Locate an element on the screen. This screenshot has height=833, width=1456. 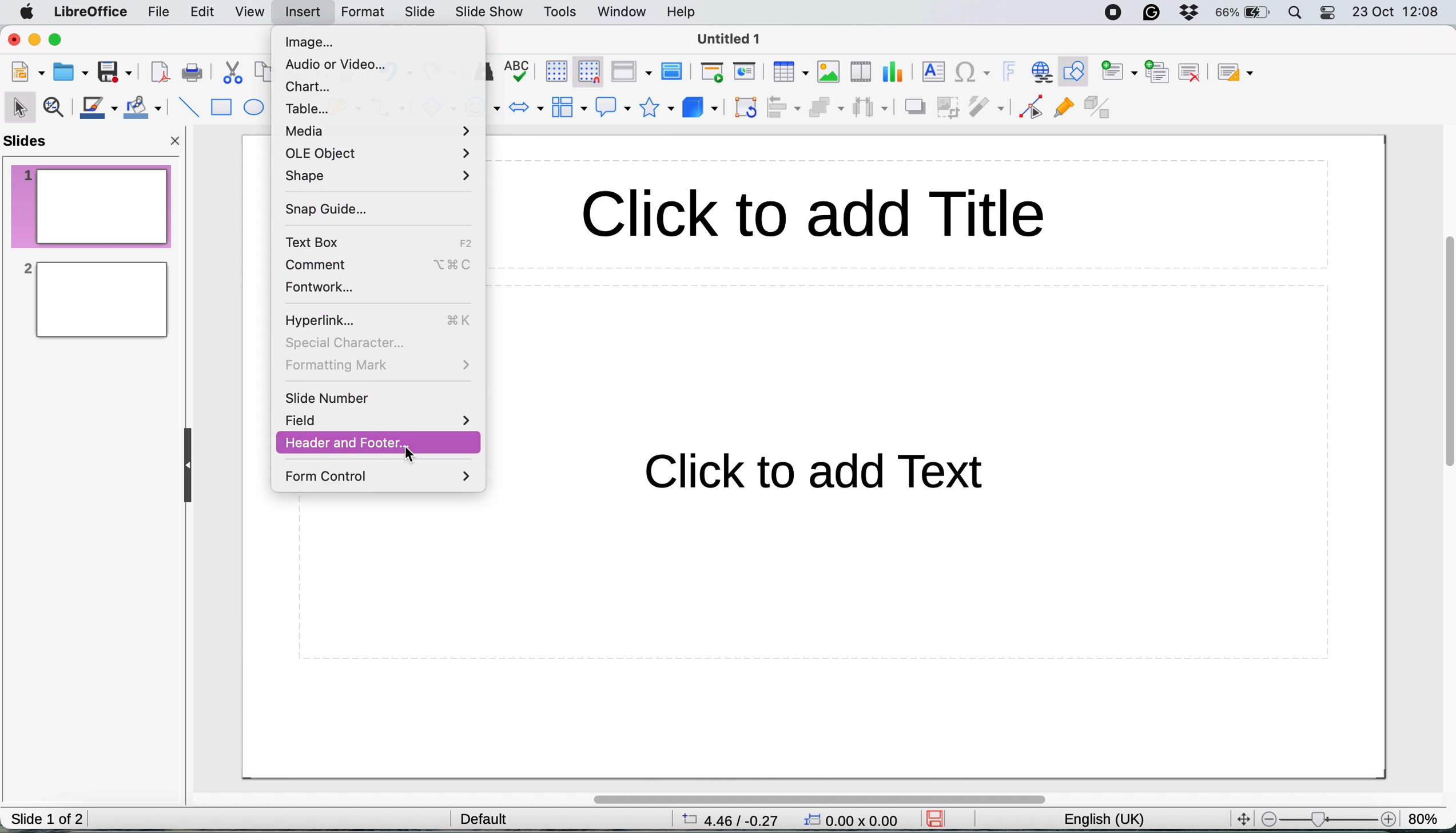
slides is located at coordinates (30, 142).